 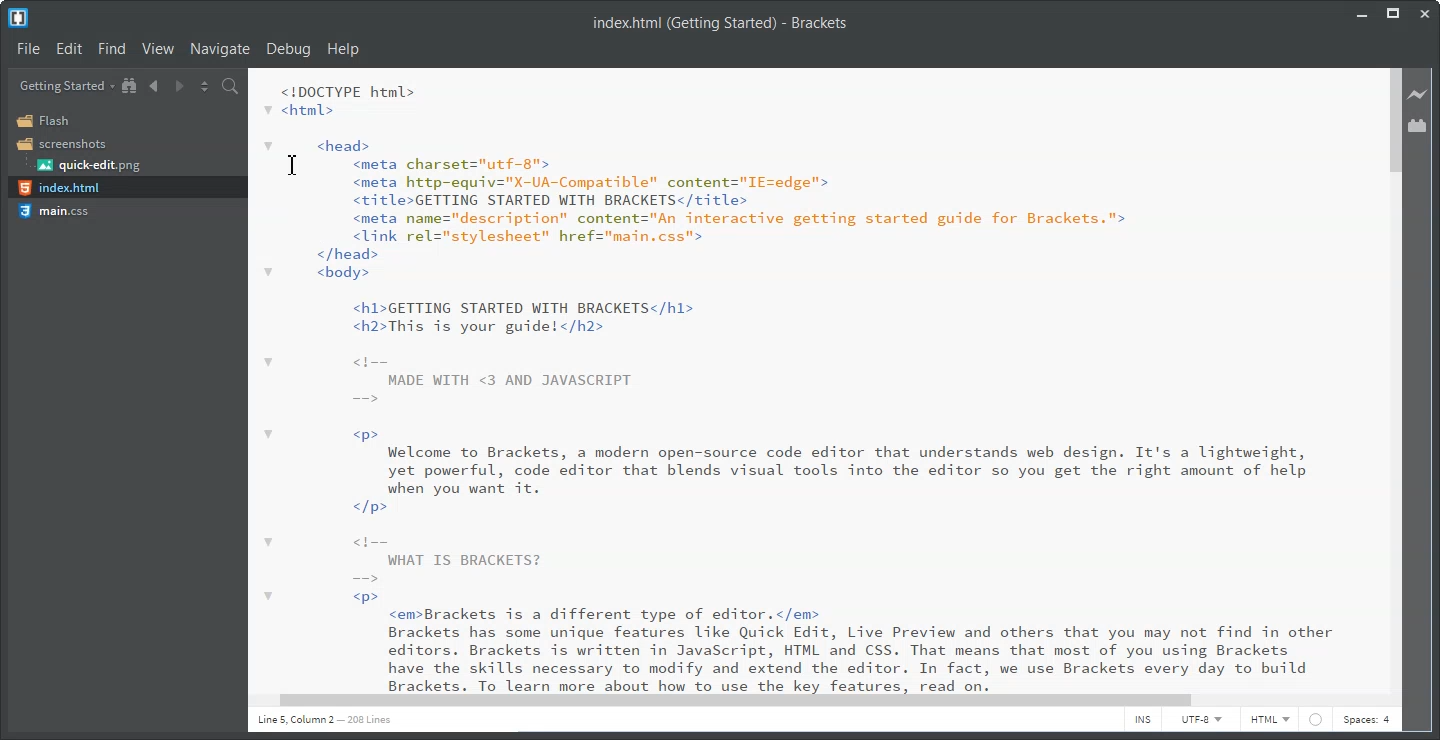 What do you see at coordinates (89, 166) in the screenshot?
I see `quick-edit.png` at bounding box center [89, 166].